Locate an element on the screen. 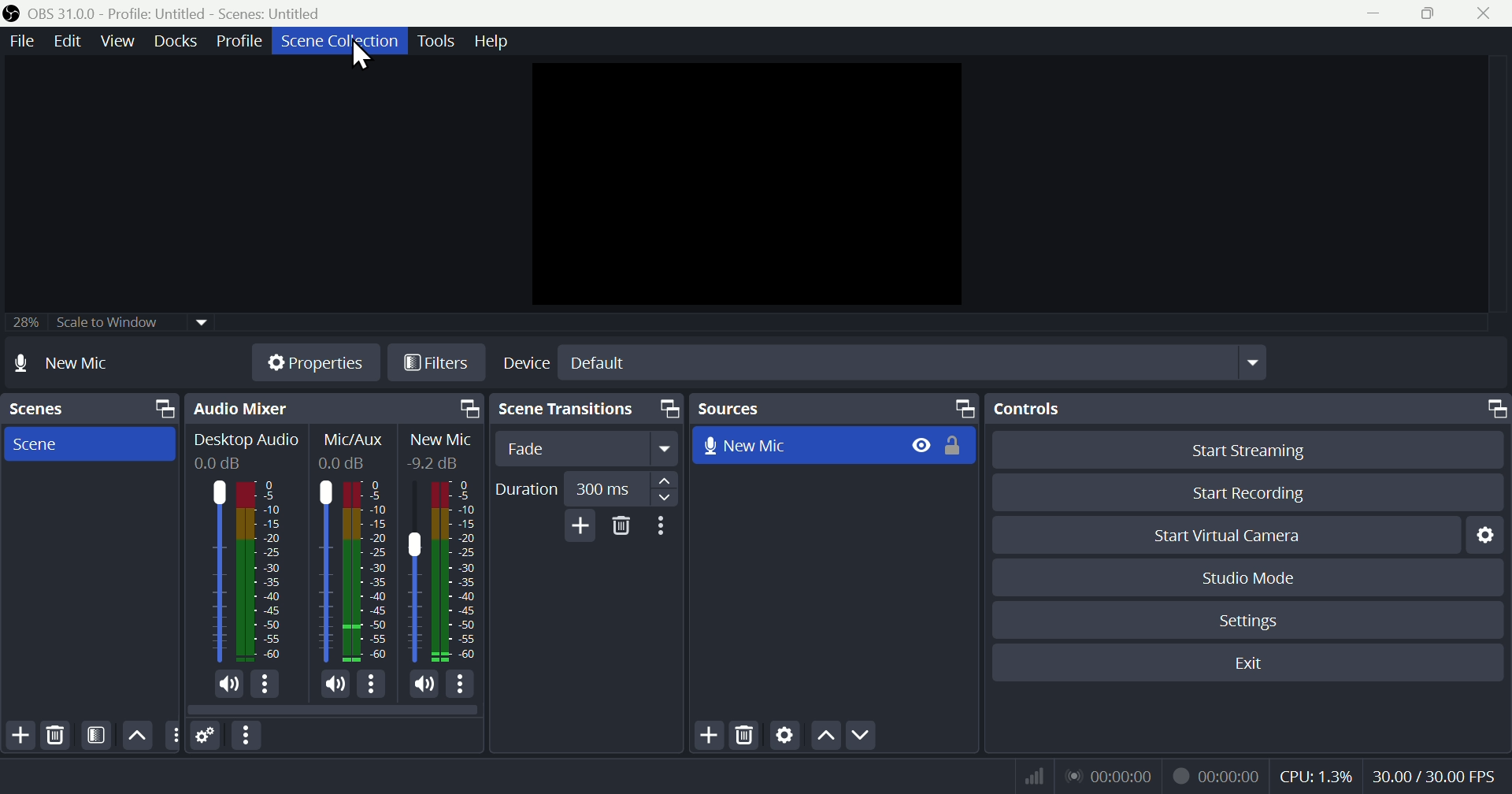 The width and height of the screenshot is (1512, 794). device is located at coordinates (522, 369).